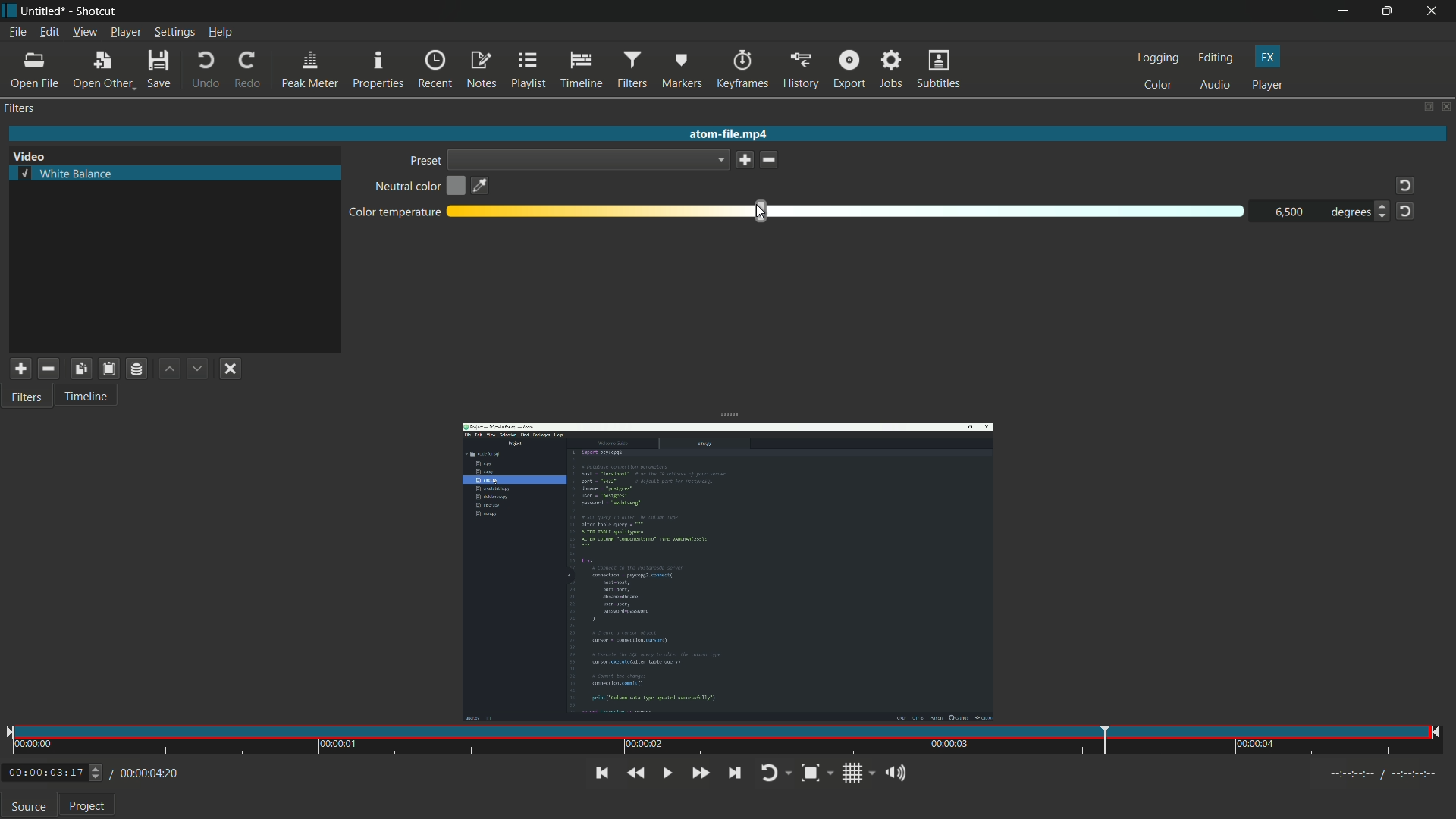  I want to click on 0:00:03:17 (current time), so click(53, 770).